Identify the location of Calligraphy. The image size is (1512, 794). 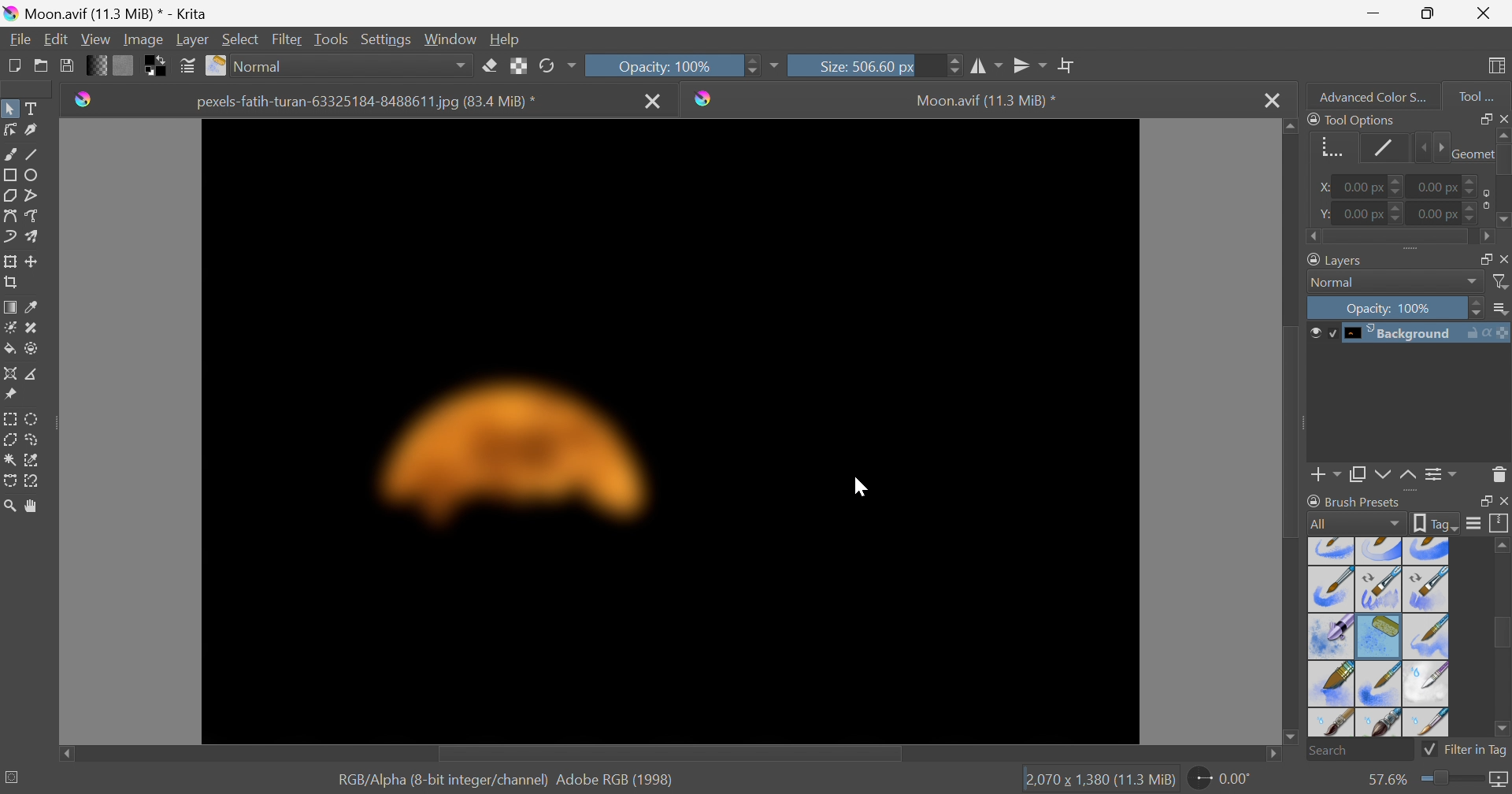
(34, 129).